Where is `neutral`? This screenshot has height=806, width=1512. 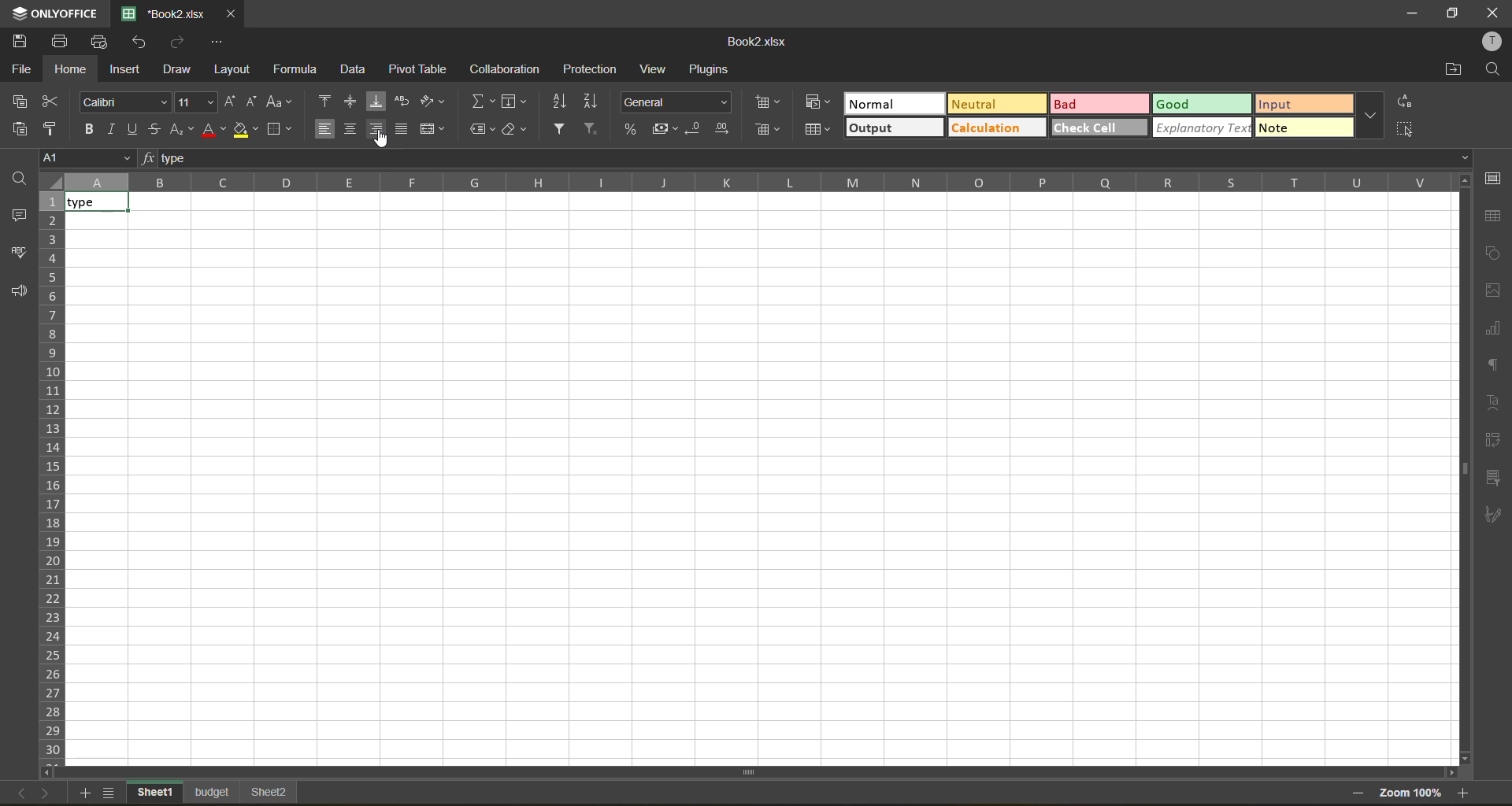
neutral is located at coordinates (995, 106).